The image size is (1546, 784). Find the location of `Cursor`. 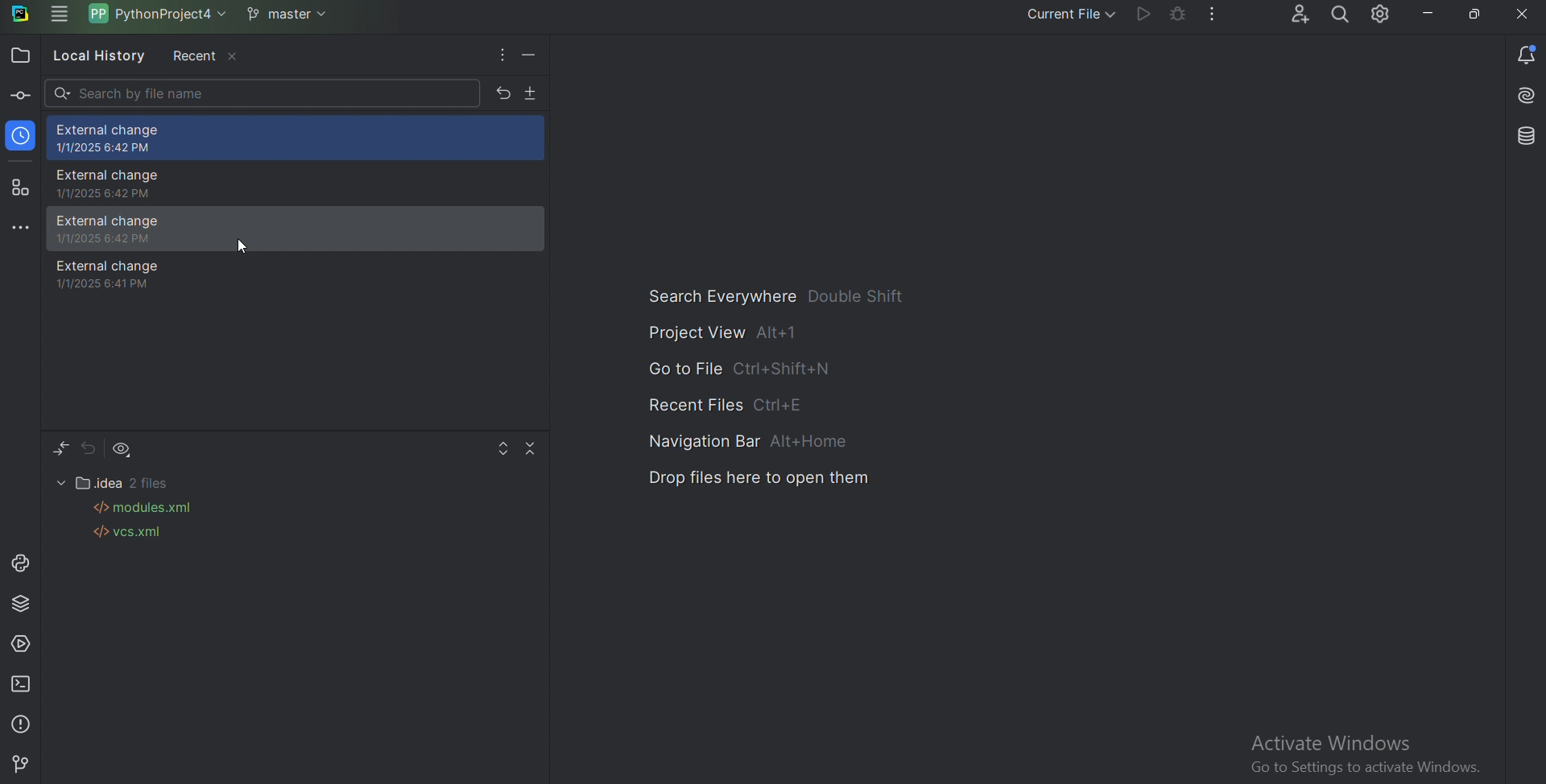

Cursor is located at coordinates (243, 247).